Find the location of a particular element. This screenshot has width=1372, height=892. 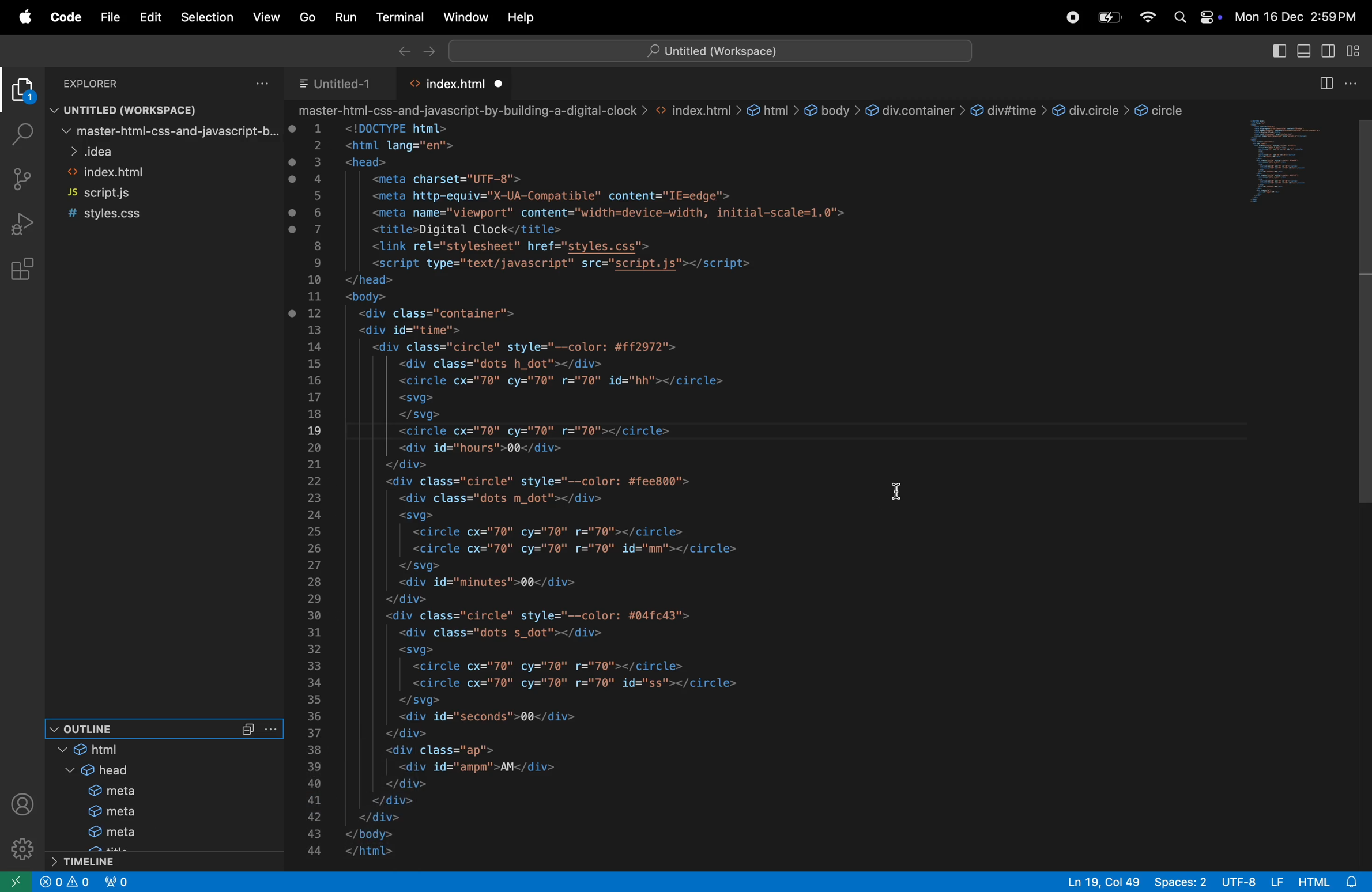

-html-css-and-javascript-by-building-a-digital-clock > <> index.html > & html > € body > & div.container > &@ div#time > &@ div.circle > @ circle is located at coordinates (747, 110).